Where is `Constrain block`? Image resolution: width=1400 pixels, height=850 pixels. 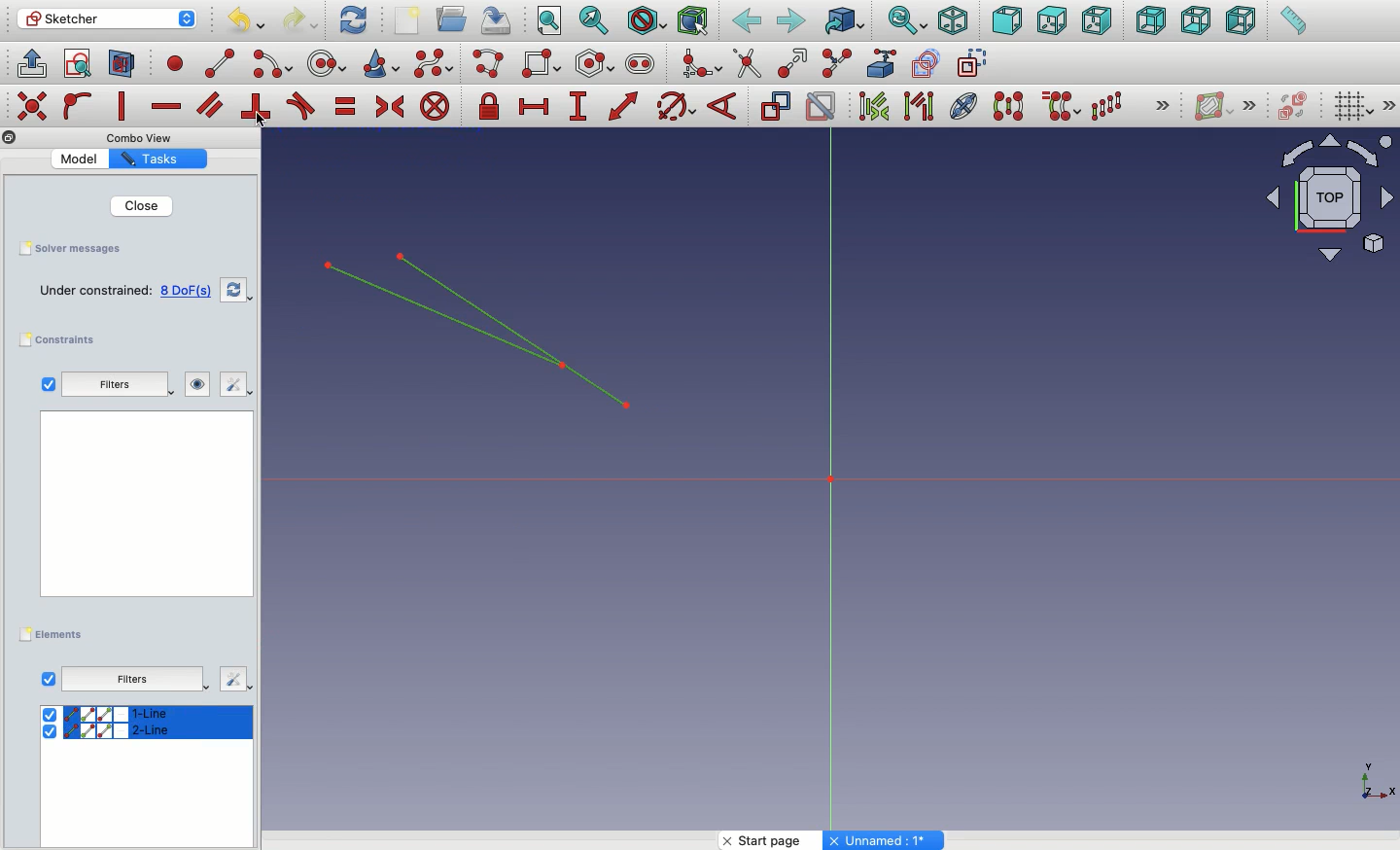 Constrain block is located at coordinates (435, 108).